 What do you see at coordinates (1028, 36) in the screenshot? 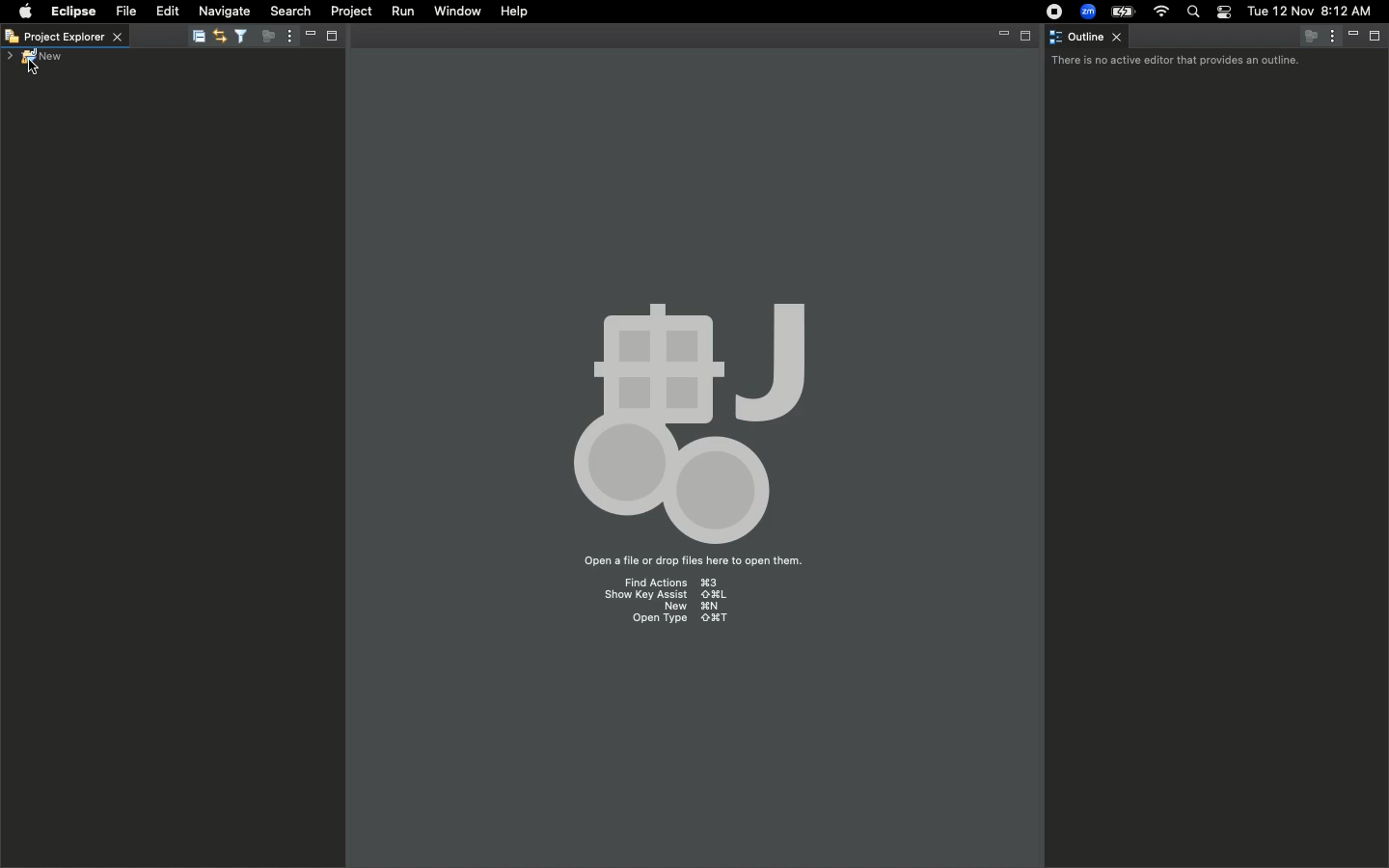
I see `Maximize` at bounding box center [1028, 36].